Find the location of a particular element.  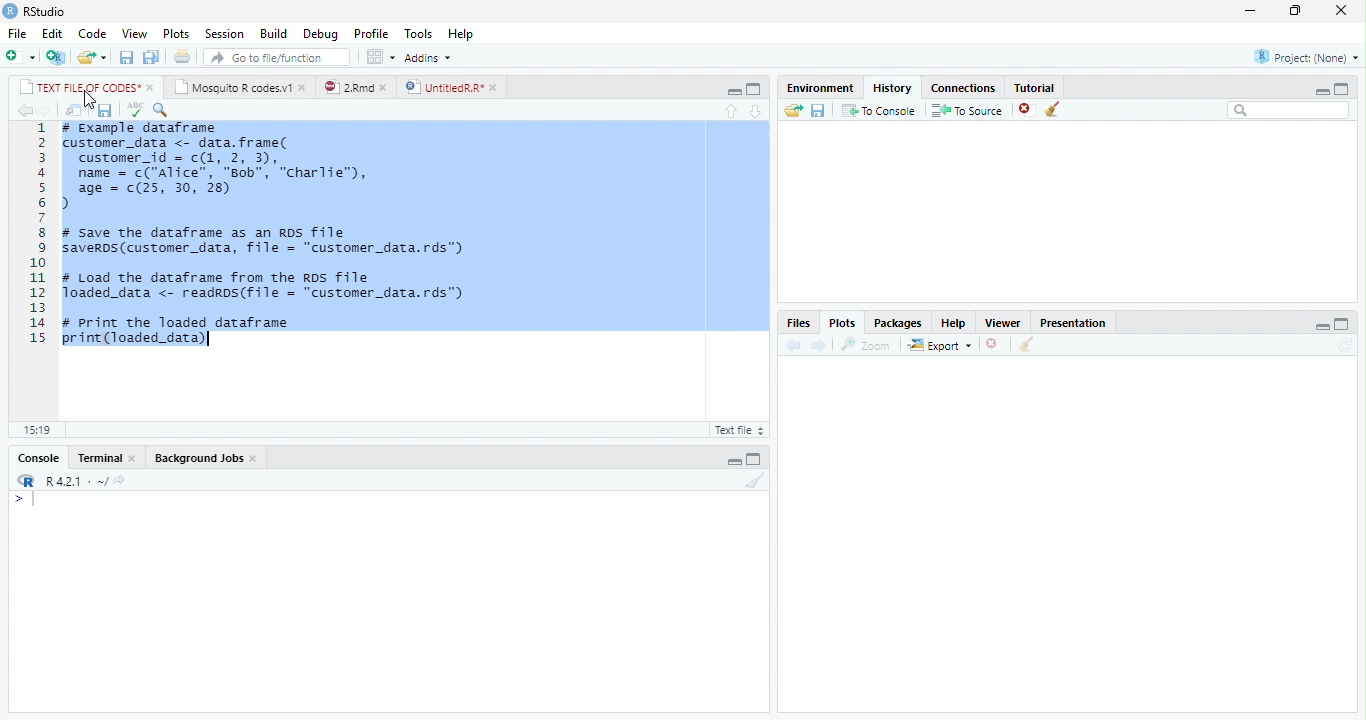

Presentation is located at coordinates (1072, 322).